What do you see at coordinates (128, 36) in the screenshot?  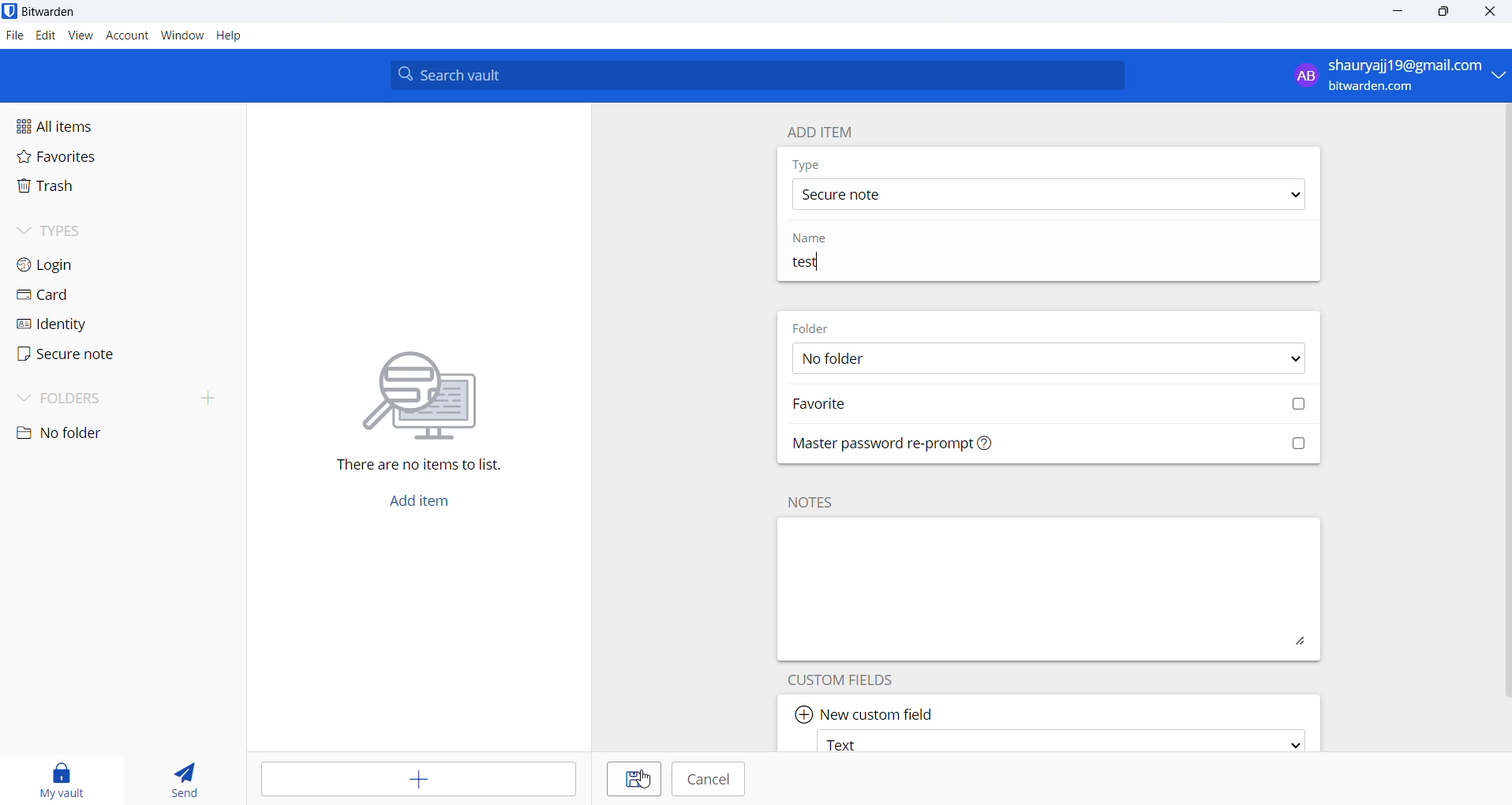 I see `account` at bounding box center [128, 36].